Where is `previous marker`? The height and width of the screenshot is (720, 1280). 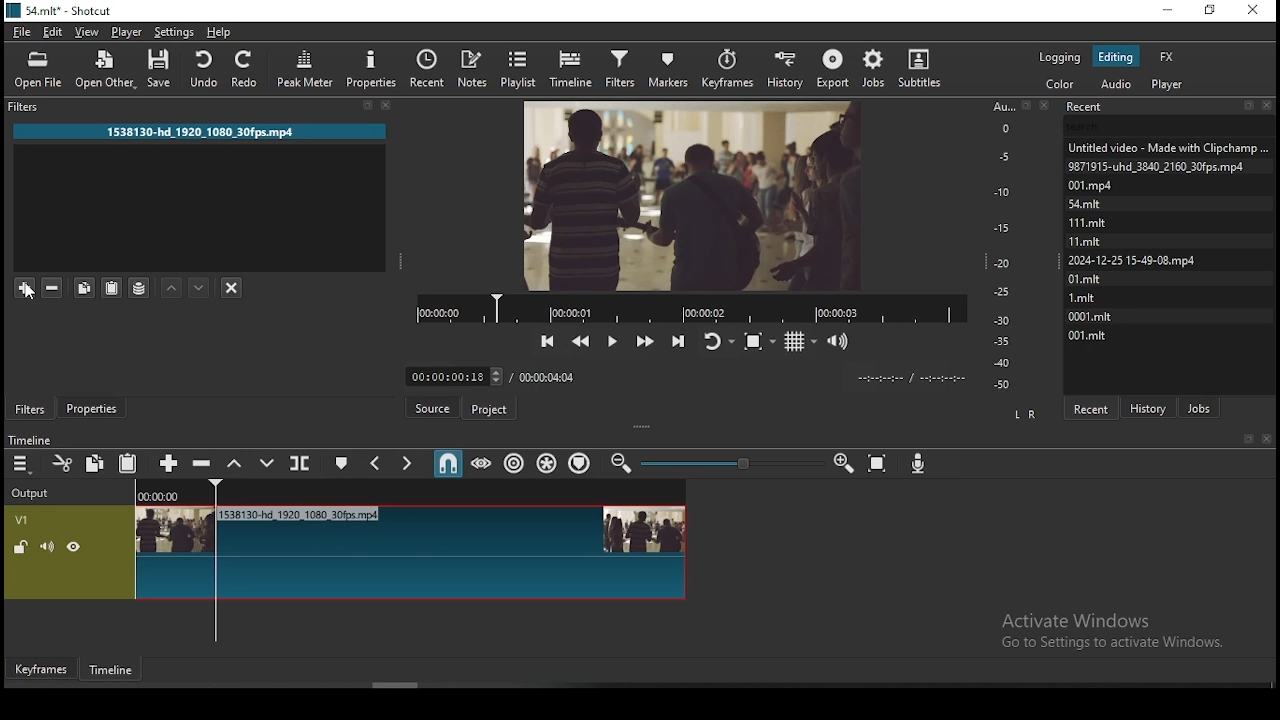
previous marker is located at coordinates (375, 463).